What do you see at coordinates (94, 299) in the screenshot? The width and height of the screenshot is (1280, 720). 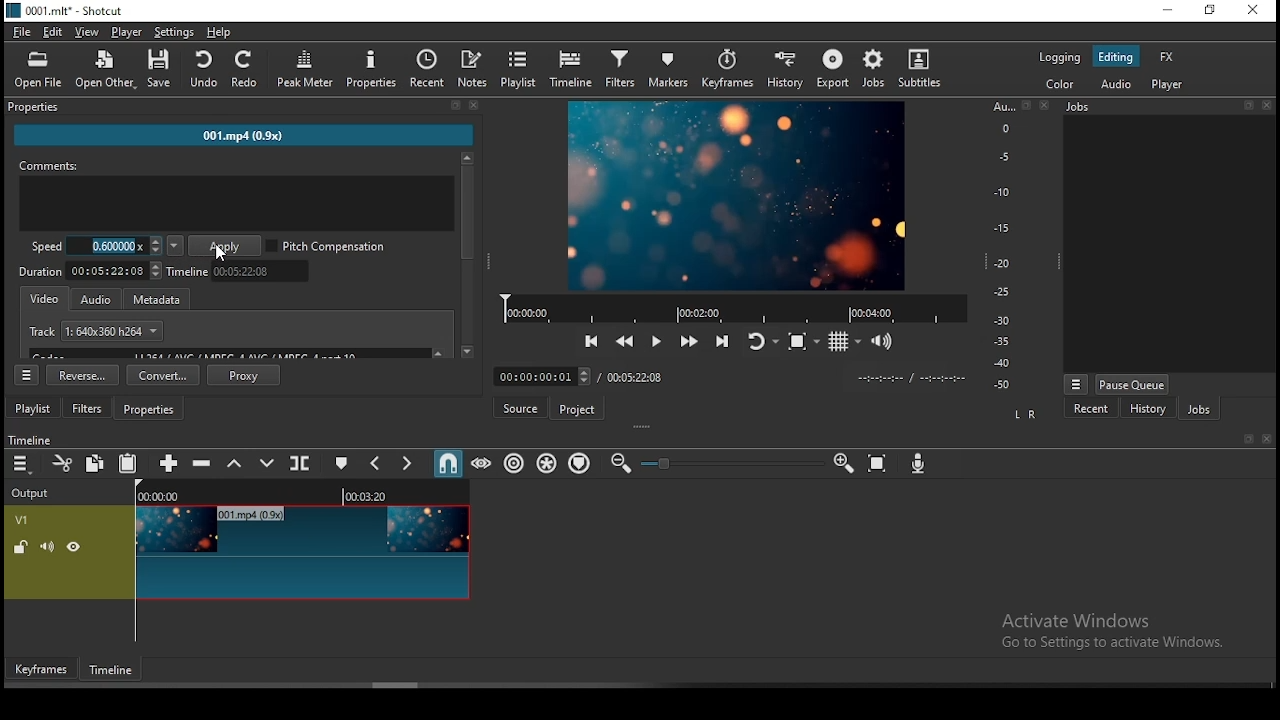 I see `audio` at bounding box center [94, 299].